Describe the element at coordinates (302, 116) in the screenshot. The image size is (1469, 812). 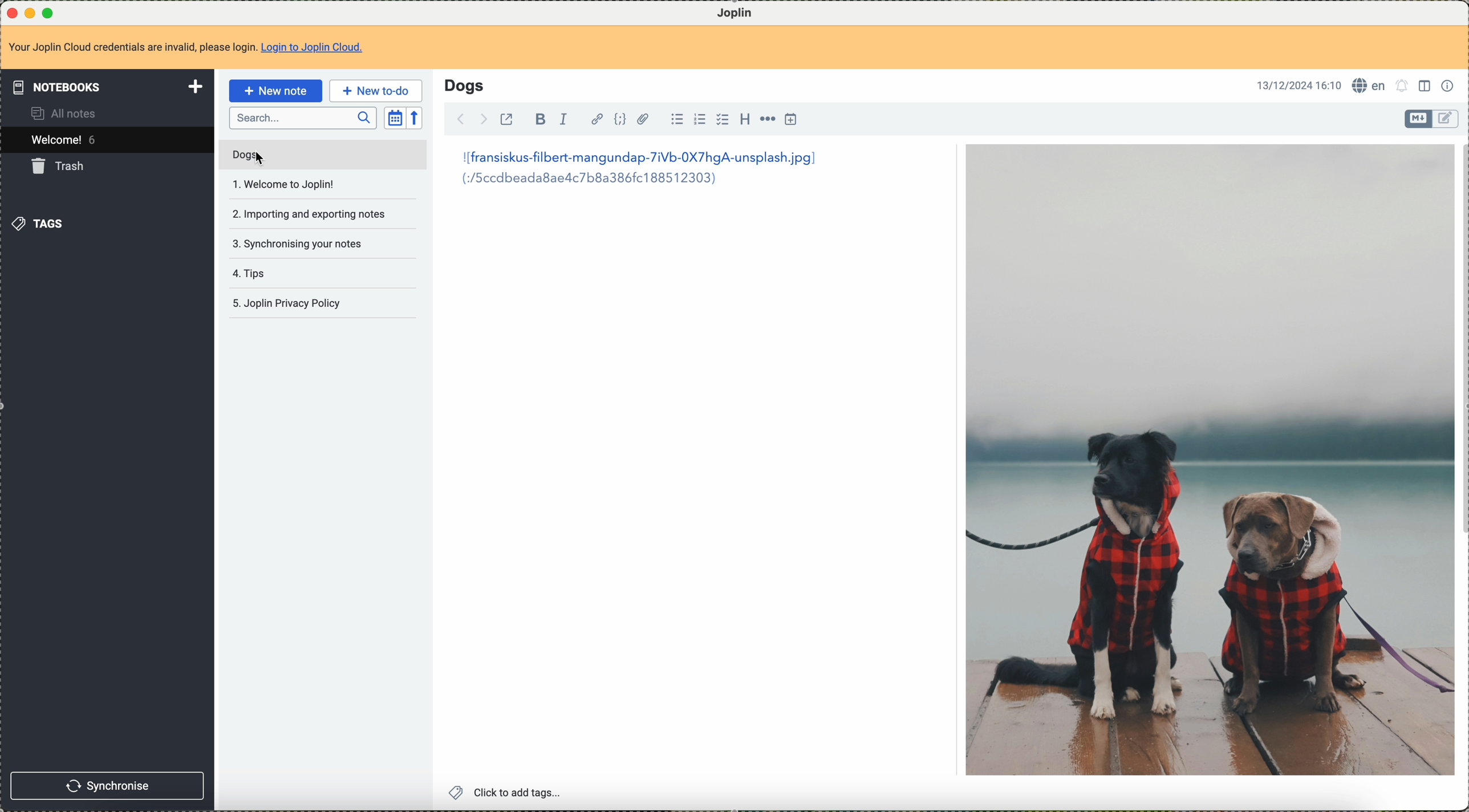
I see `search bar` at that location.